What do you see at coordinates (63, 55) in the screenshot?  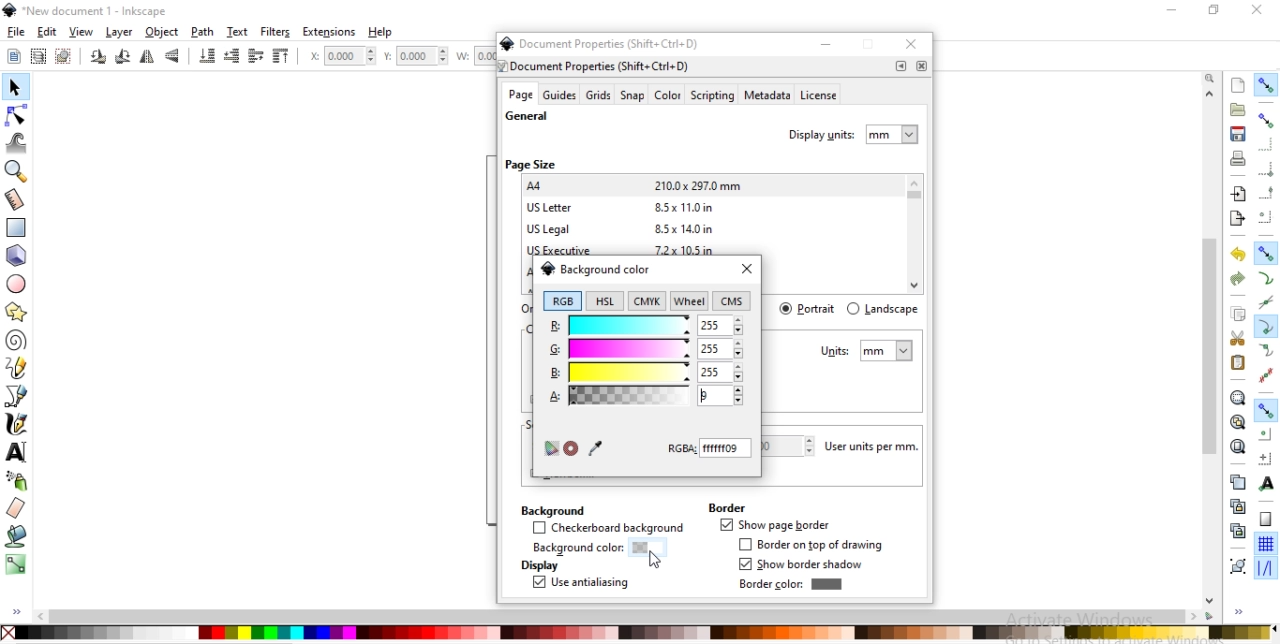 I see `deselct any selected objects or nodes` at bounding box center [63, 55].